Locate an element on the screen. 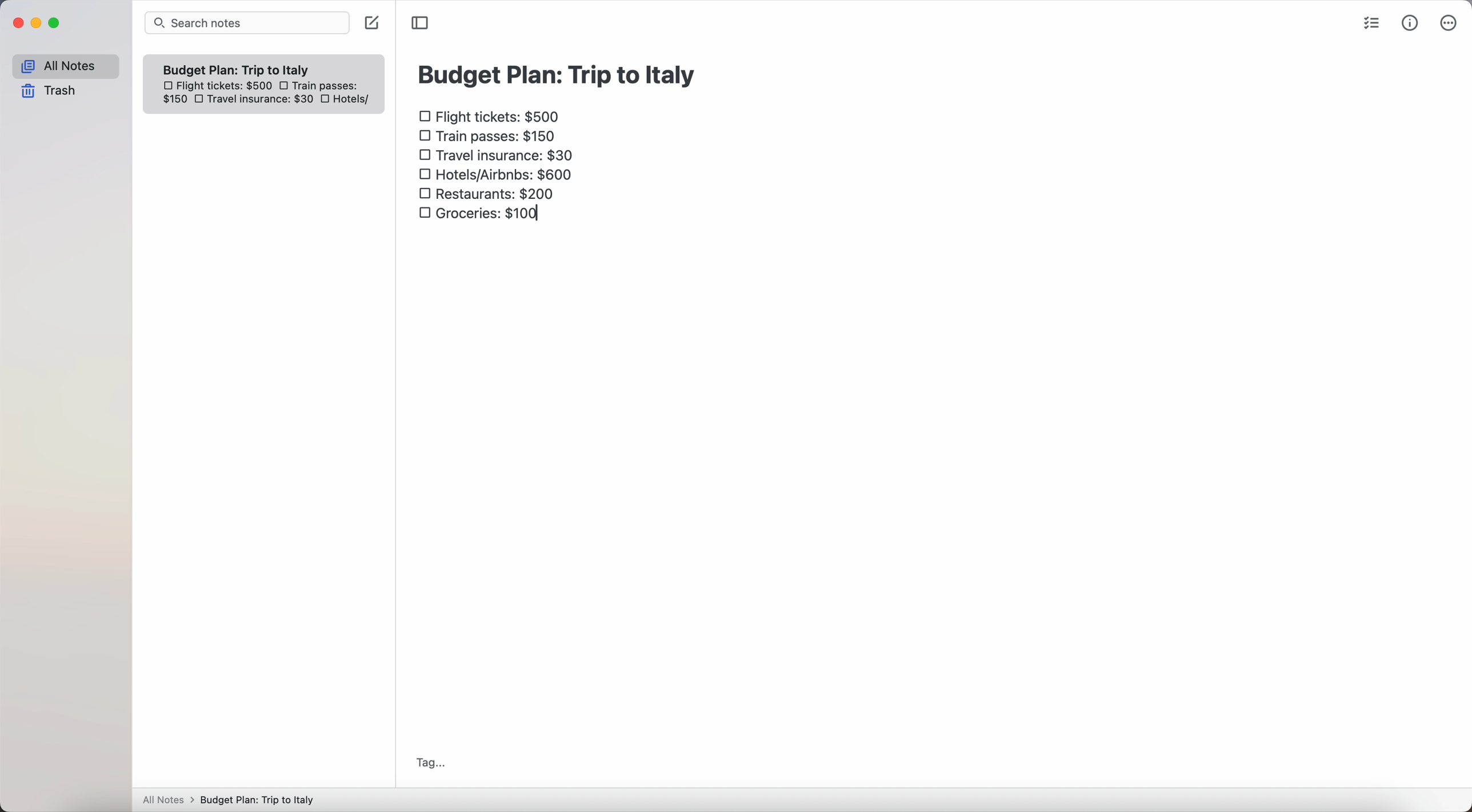 The image size is (1472, 812). tag is located at coordinates (431, 763).